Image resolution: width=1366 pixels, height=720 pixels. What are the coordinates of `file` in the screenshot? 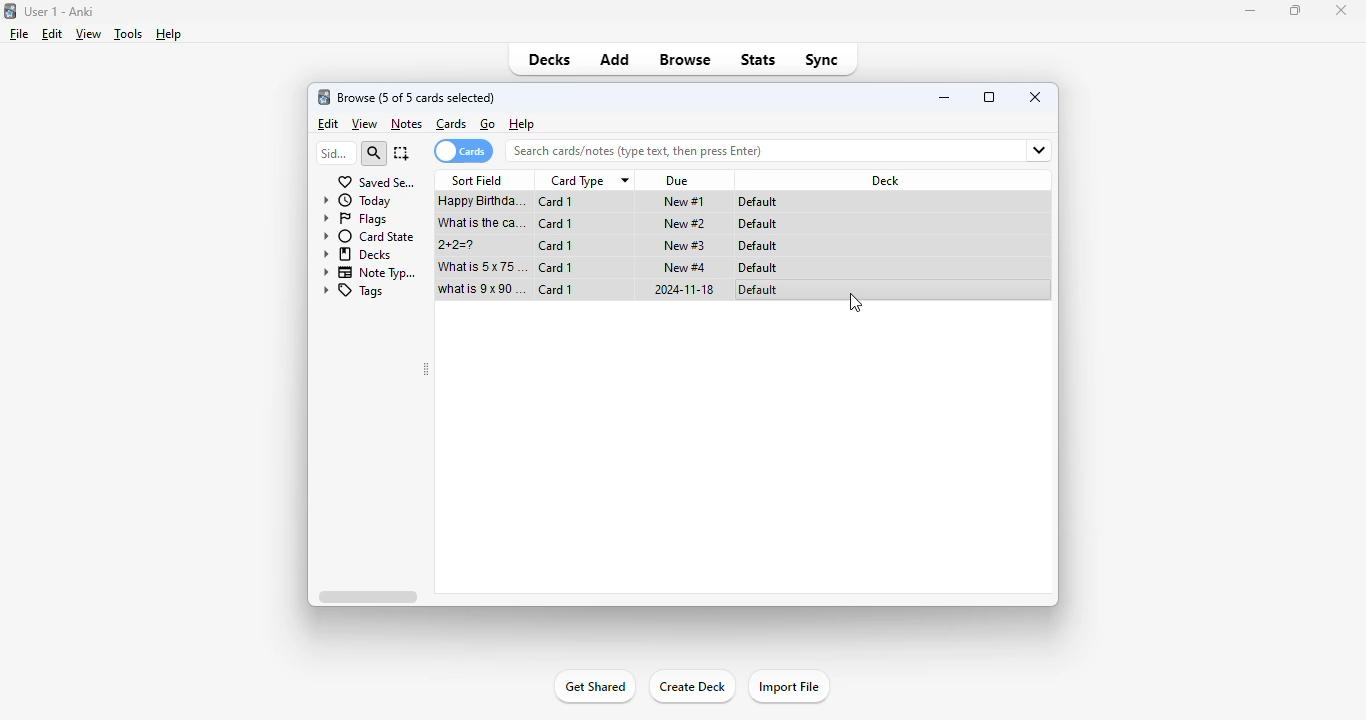 It's located at (19, 34).